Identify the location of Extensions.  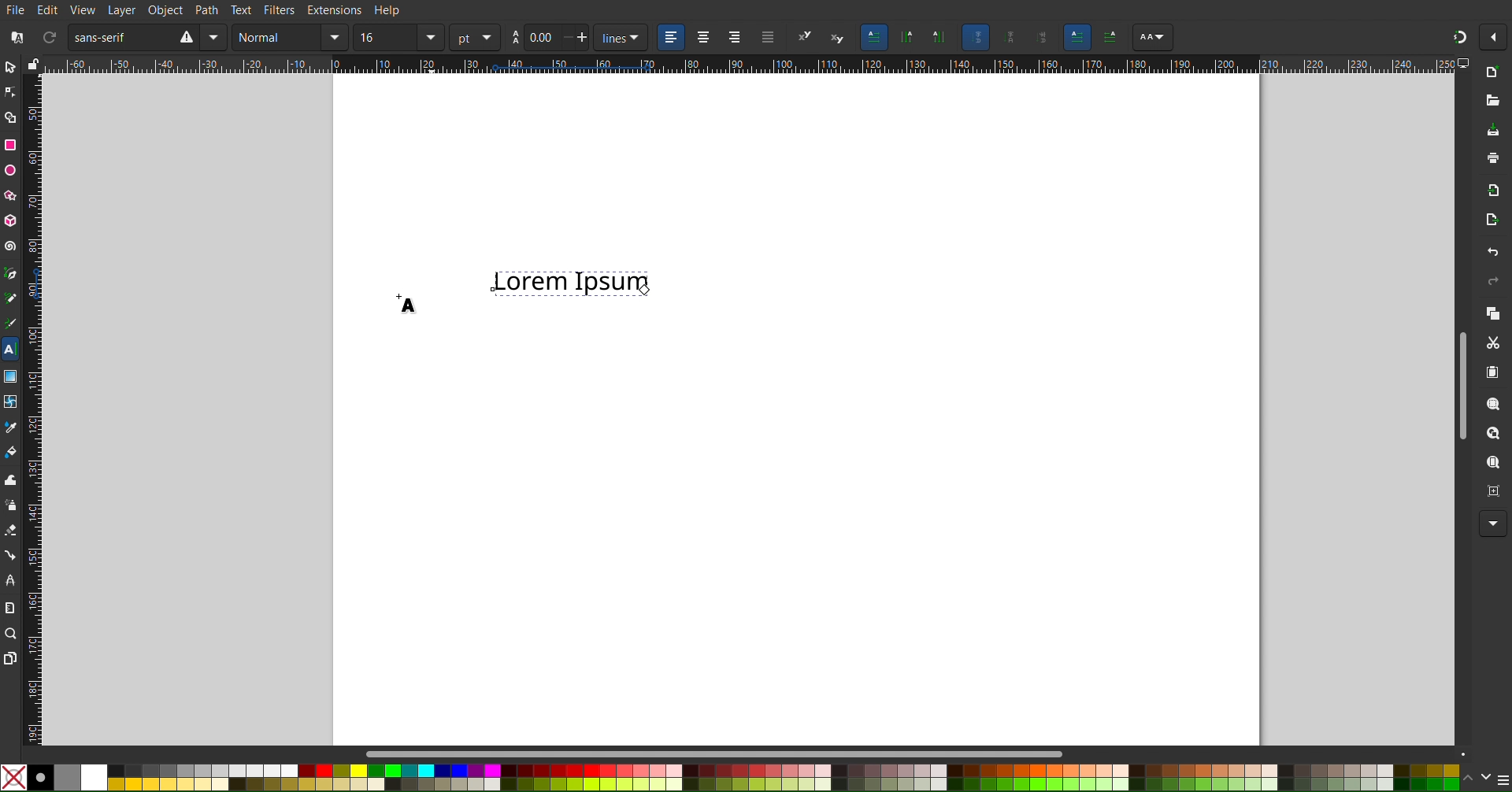
(334, 9).